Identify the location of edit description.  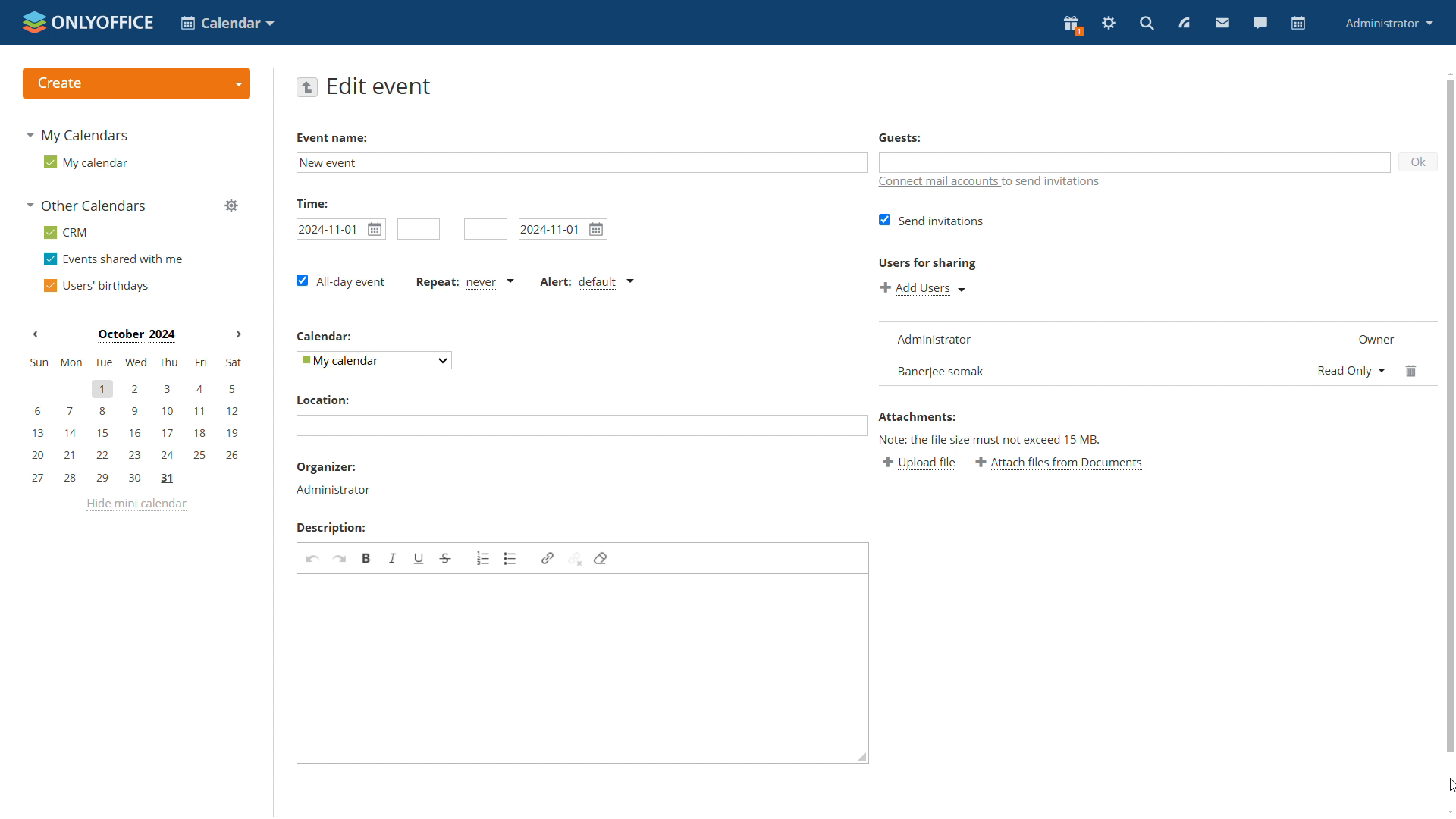
(582, 670).